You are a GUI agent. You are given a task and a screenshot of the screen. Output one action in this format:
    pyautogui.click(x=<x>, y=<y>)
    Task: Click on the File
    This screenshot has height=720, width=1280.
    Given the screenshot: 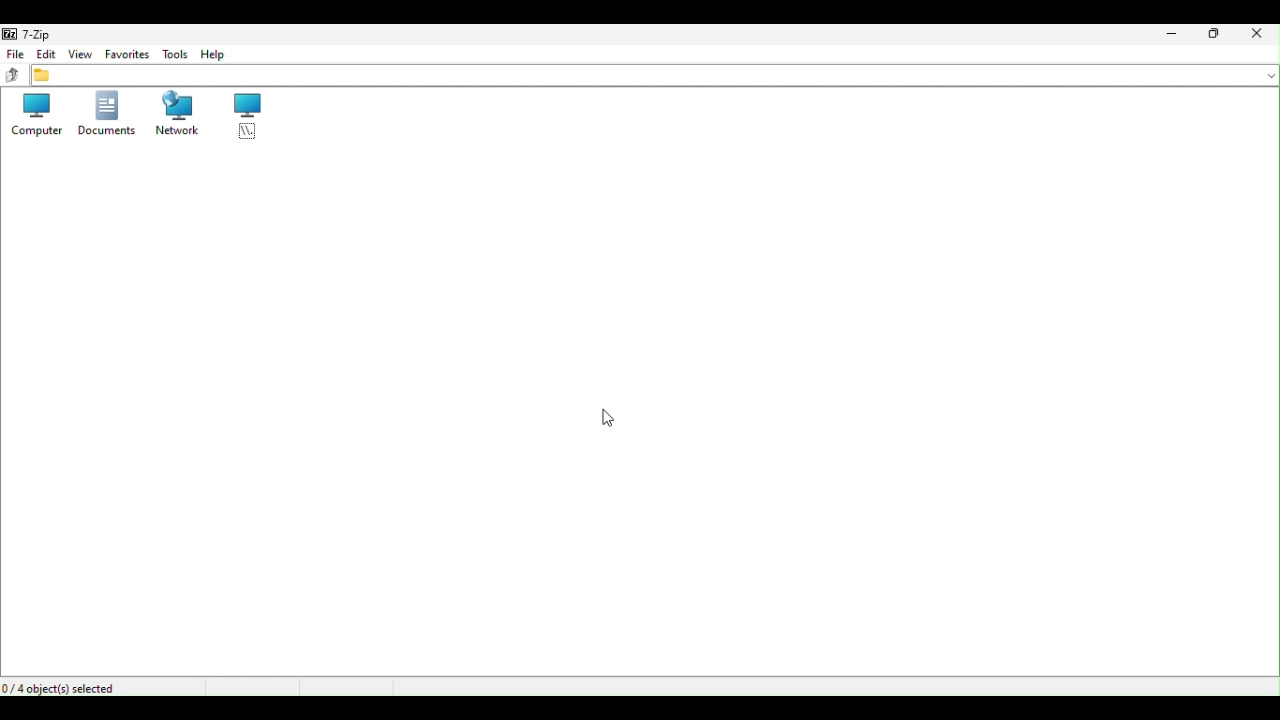 What is the action you would take?
    pyautogui.click(x=14, y=54)
    